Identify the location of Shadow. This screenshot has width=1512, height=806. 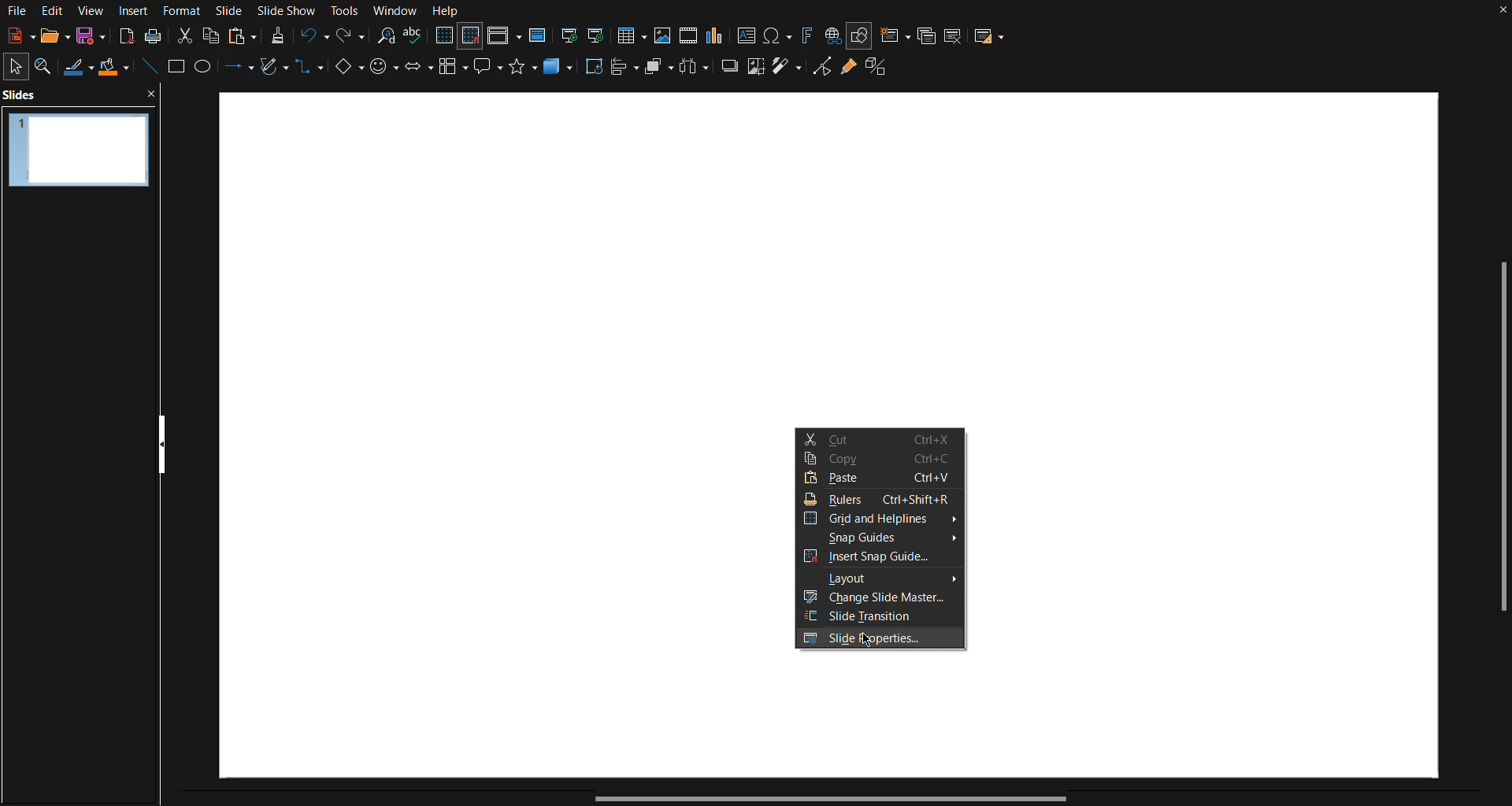
(728, 72).